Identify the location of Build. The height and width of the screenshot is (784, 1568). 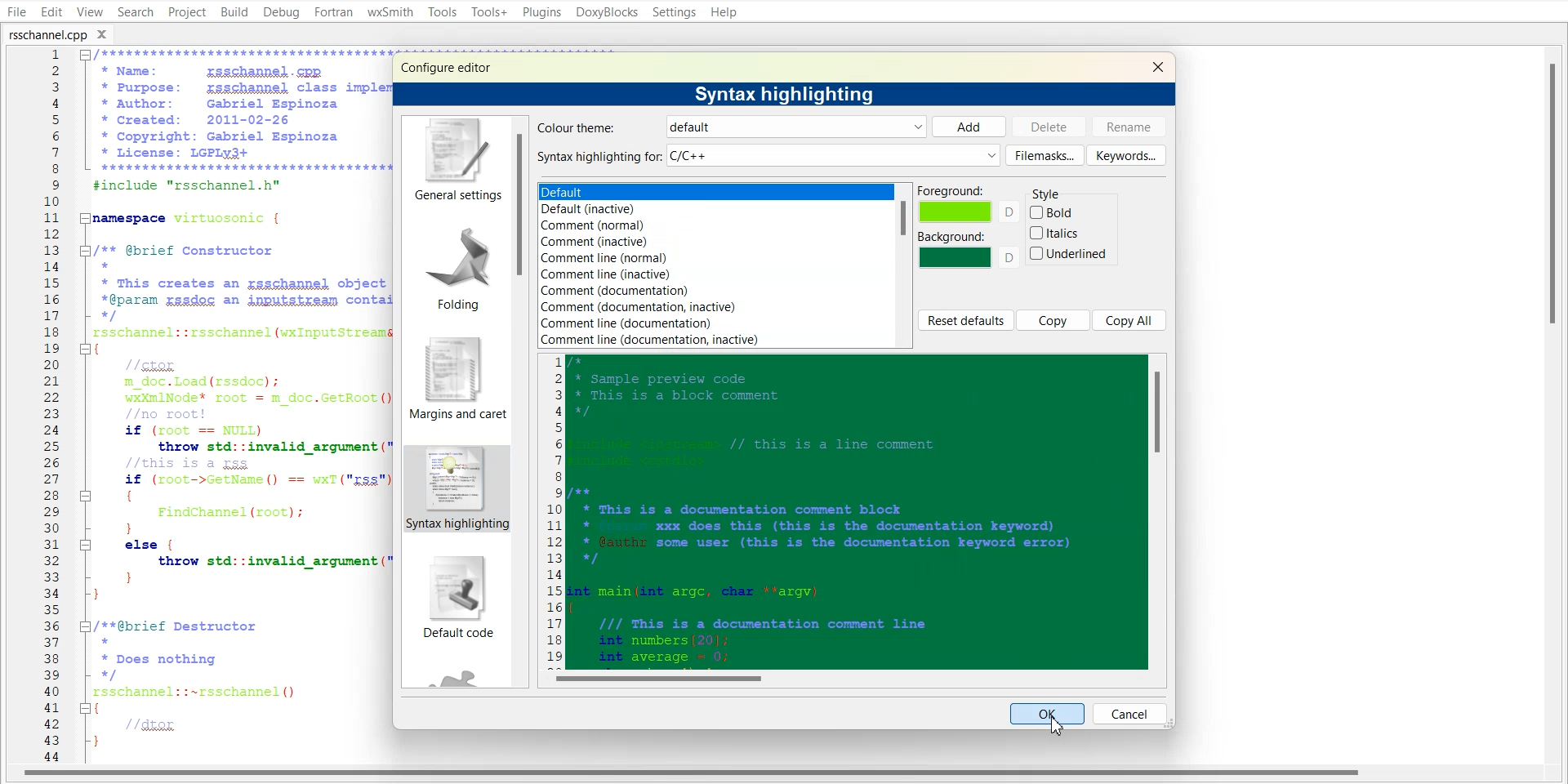
(234, 11).